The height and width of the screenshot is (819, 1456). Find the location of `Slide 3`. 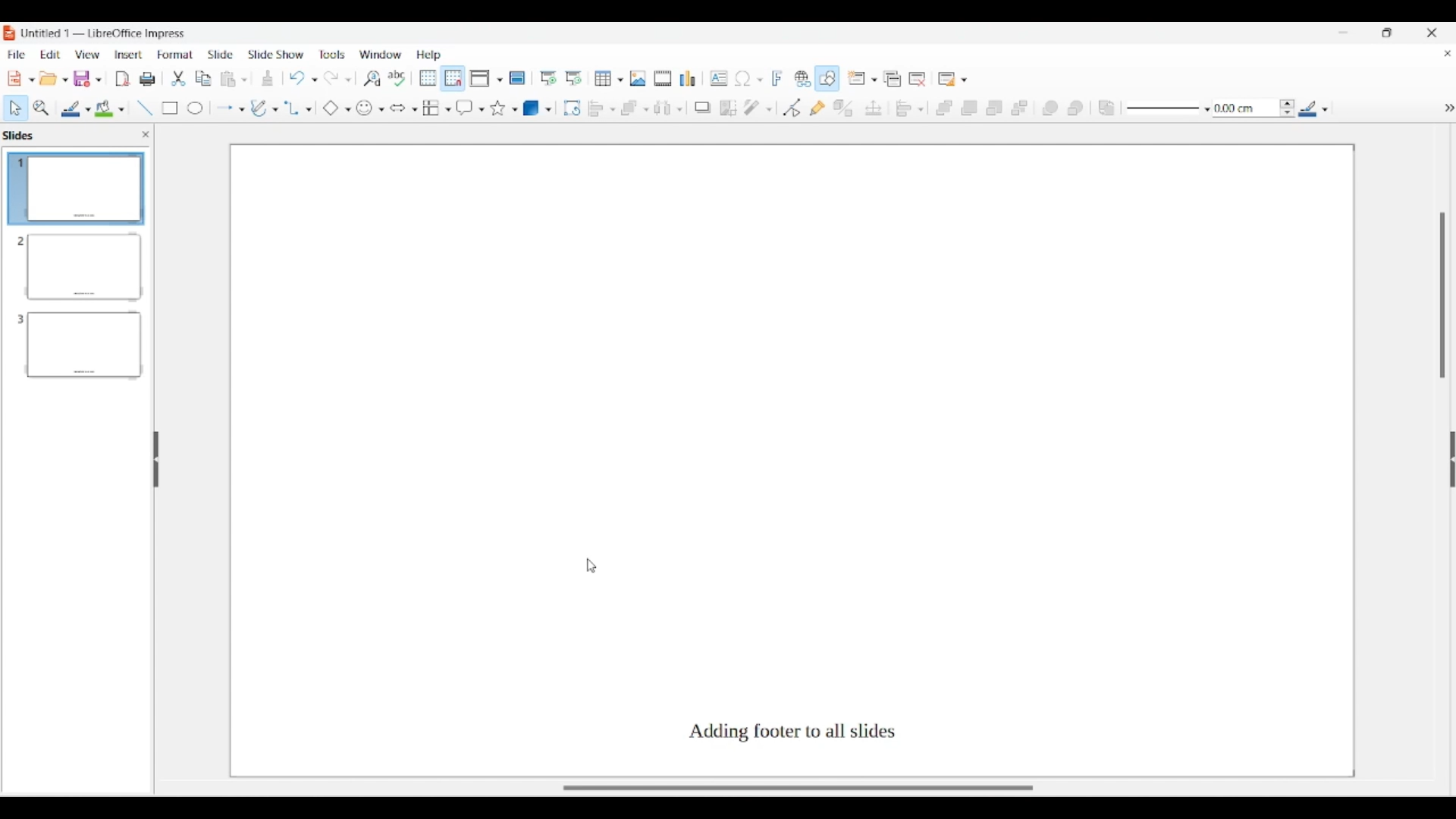

Slide 3 is located at coordinates (80, 348).